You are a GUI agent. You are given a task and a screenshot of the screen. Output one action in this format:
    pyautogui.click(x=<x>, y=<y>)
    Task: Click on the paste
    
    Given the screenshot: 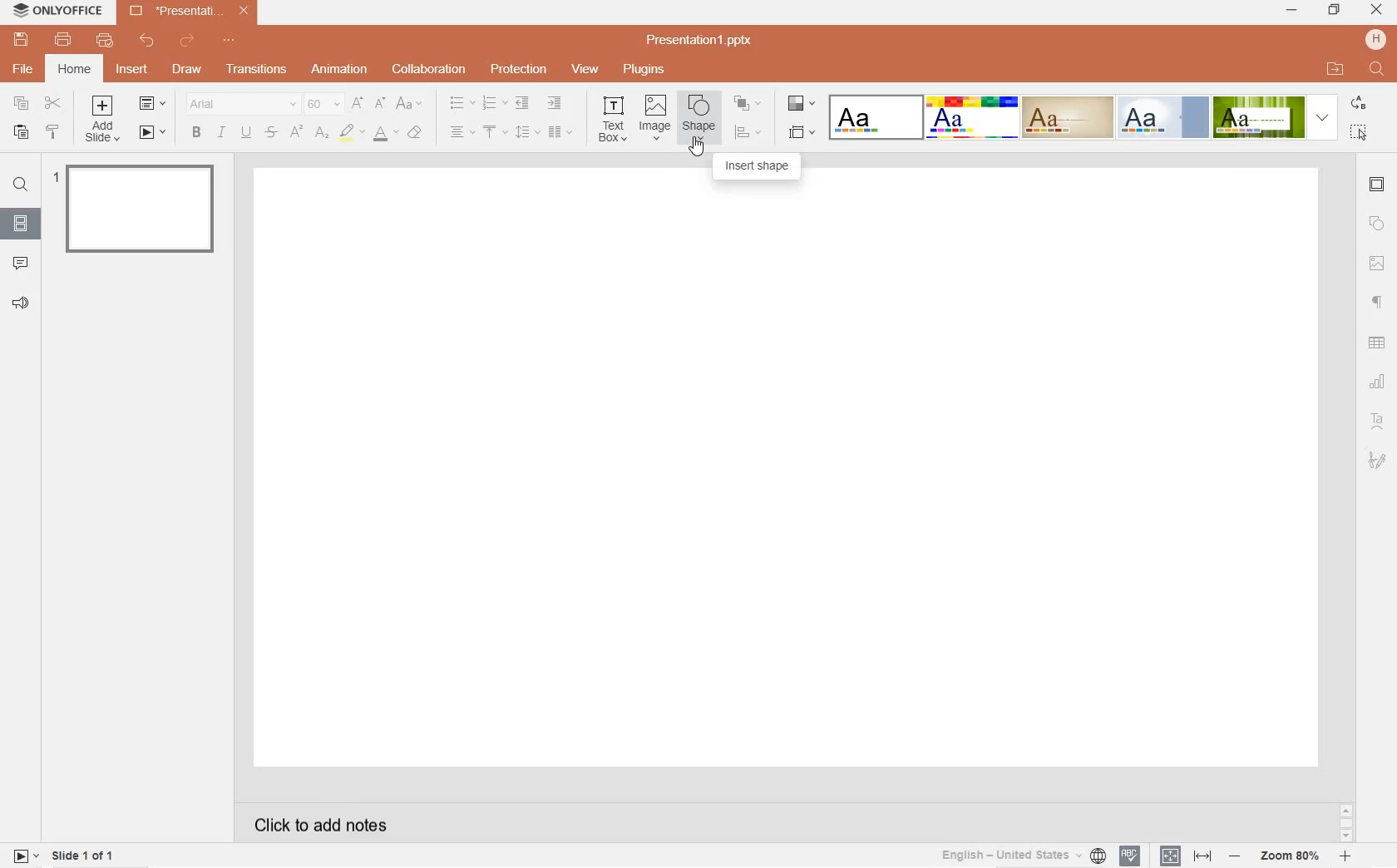 What is the action you would take?
    pyautogui.click(x=18, y=133)
    